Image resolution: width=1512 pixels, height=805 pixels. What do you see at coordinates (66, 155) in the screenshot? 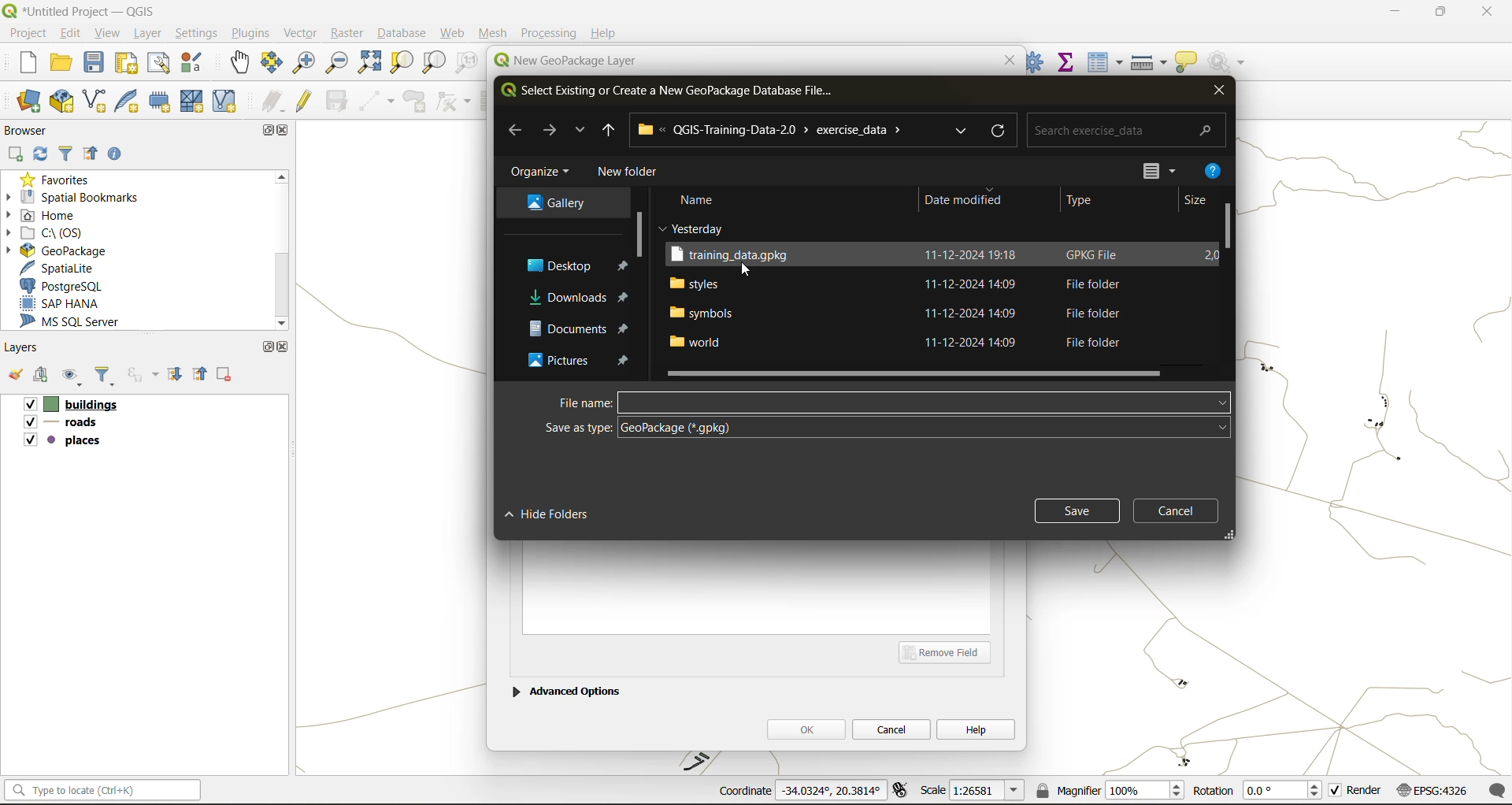
I see `filter` at bounding box center [66, 155].